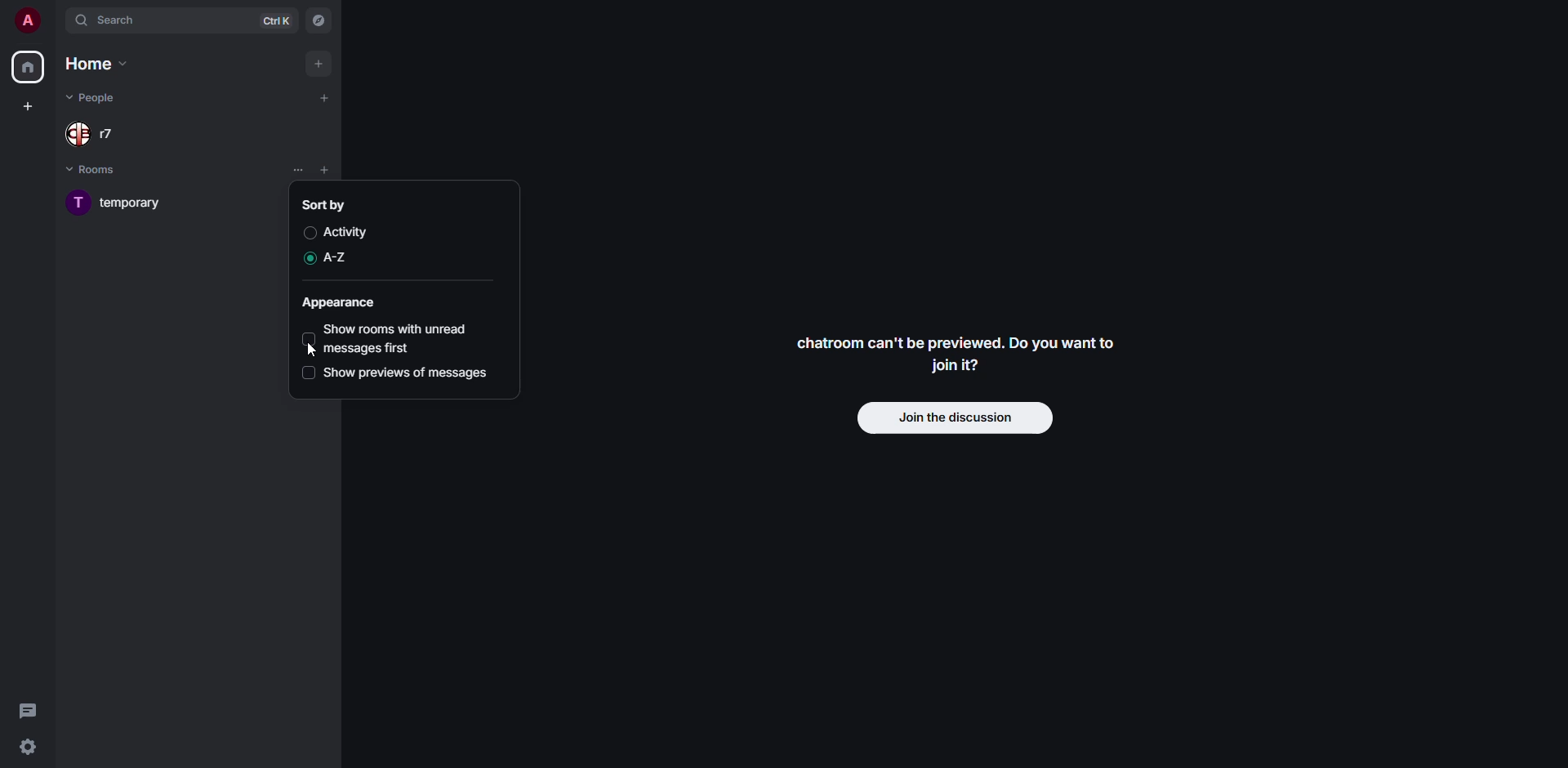 This screenshot has width=1568, height=768. What do you see at coordinates (339, 258) in the screenshot?
I see `a-z` at bounding box center [339, 258].